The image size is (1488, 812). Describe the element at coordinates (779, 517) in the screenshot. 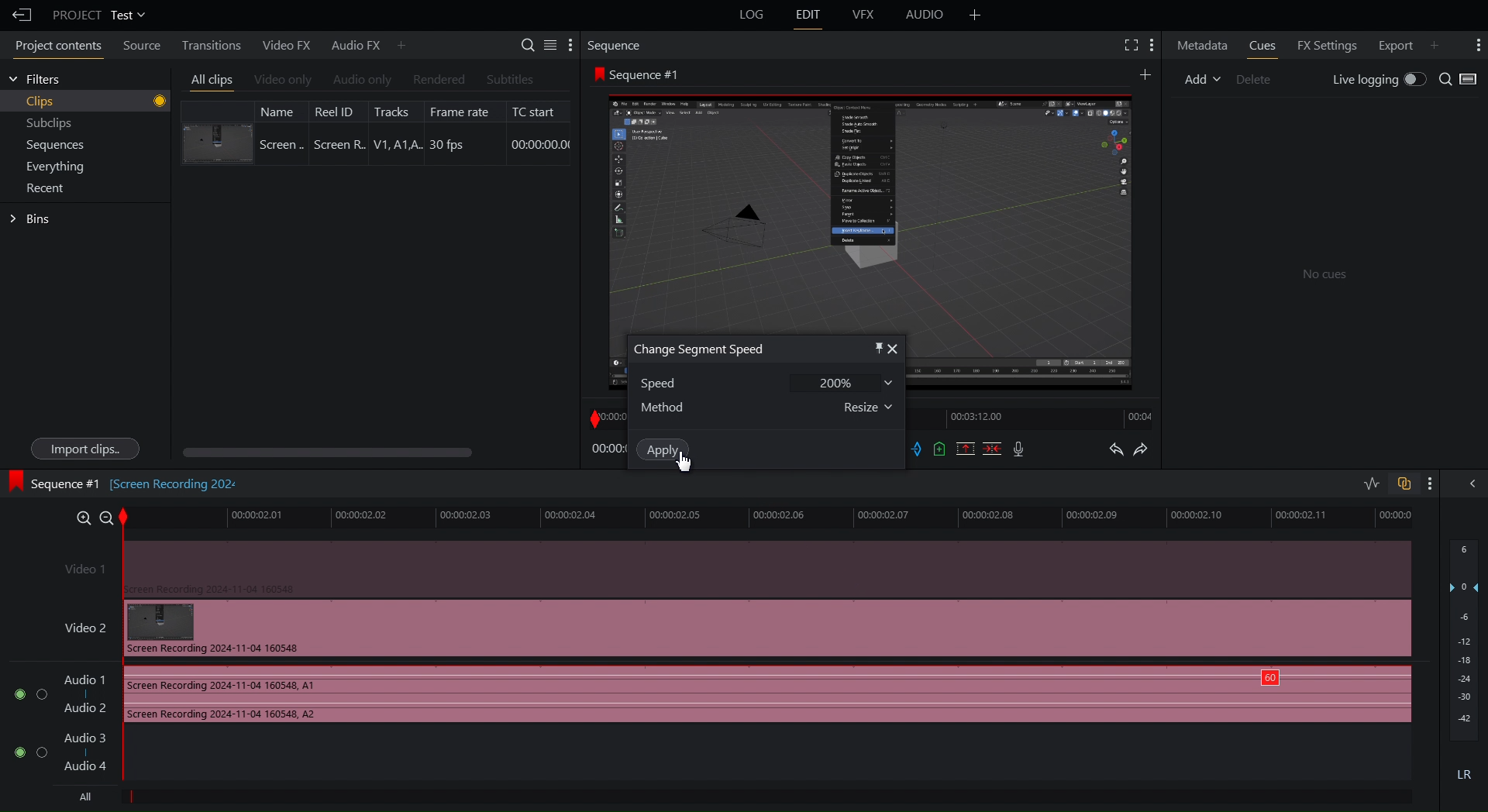

I see `Timeline` at that location.